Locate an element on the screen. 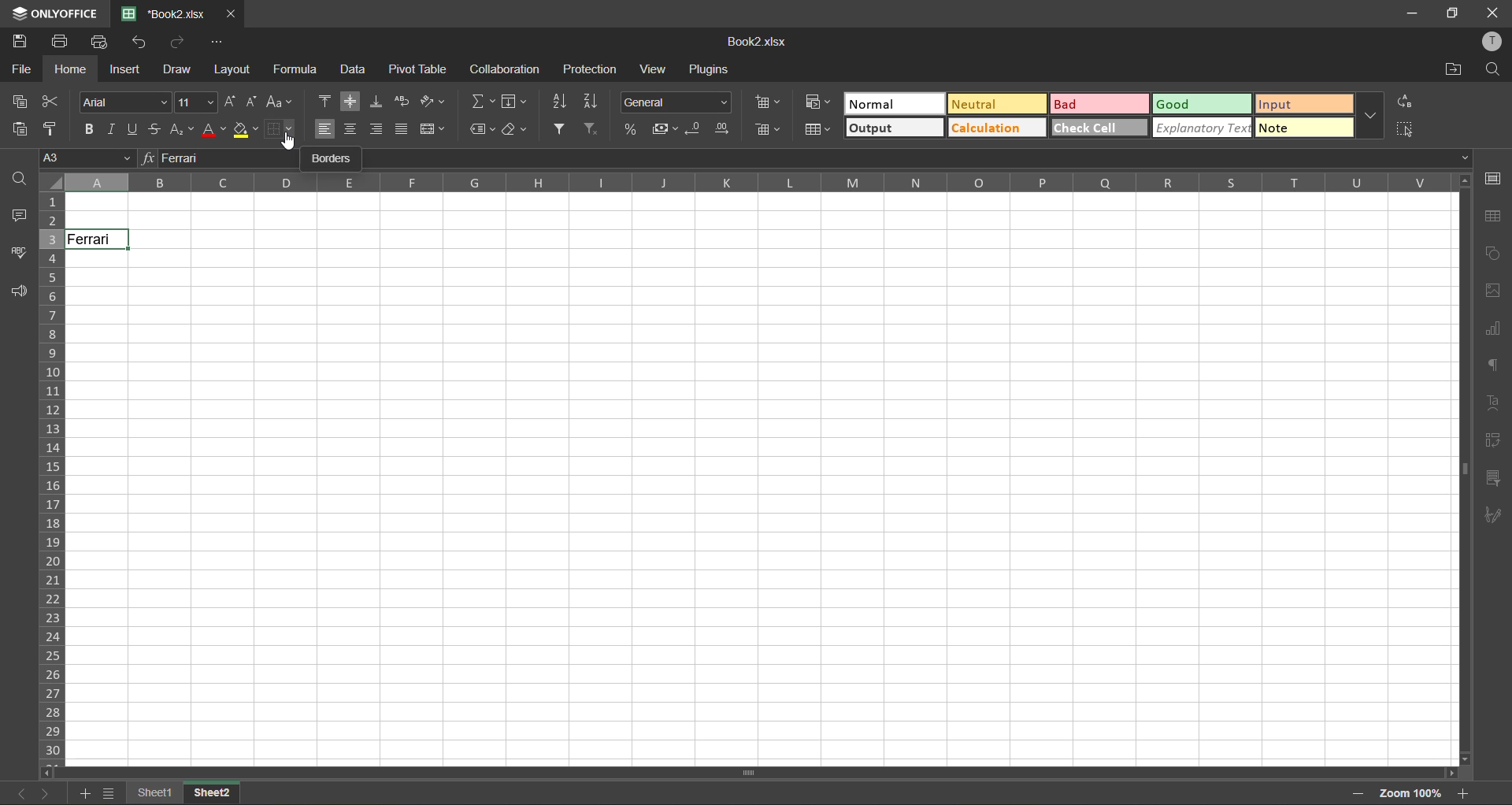  maximize is located at coordinates (1451, 12).